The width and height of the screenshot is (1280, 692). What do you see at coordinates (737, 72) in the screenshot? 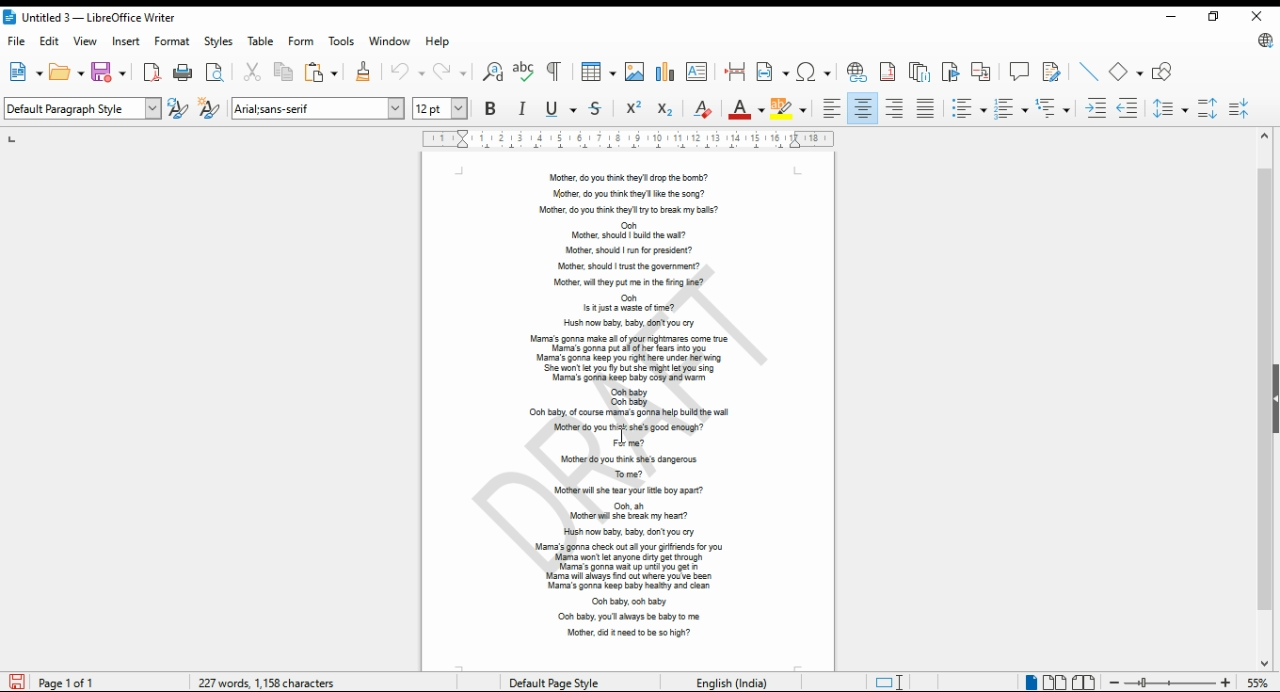
I see `insert page break` at bounding box center [737, 72].